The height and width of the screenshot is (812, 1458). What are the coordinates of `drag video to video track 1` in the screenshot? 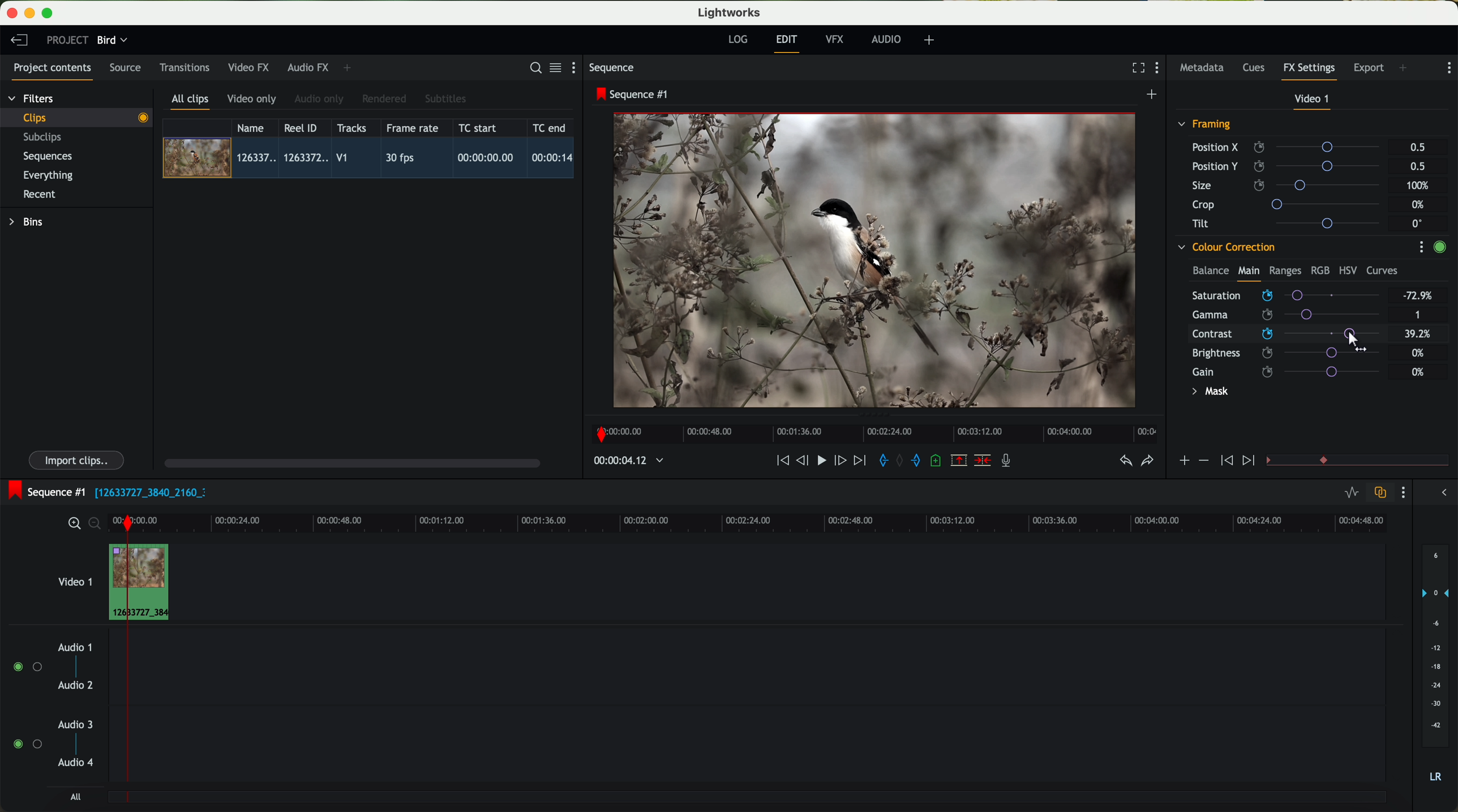 It's located at (144, 583).